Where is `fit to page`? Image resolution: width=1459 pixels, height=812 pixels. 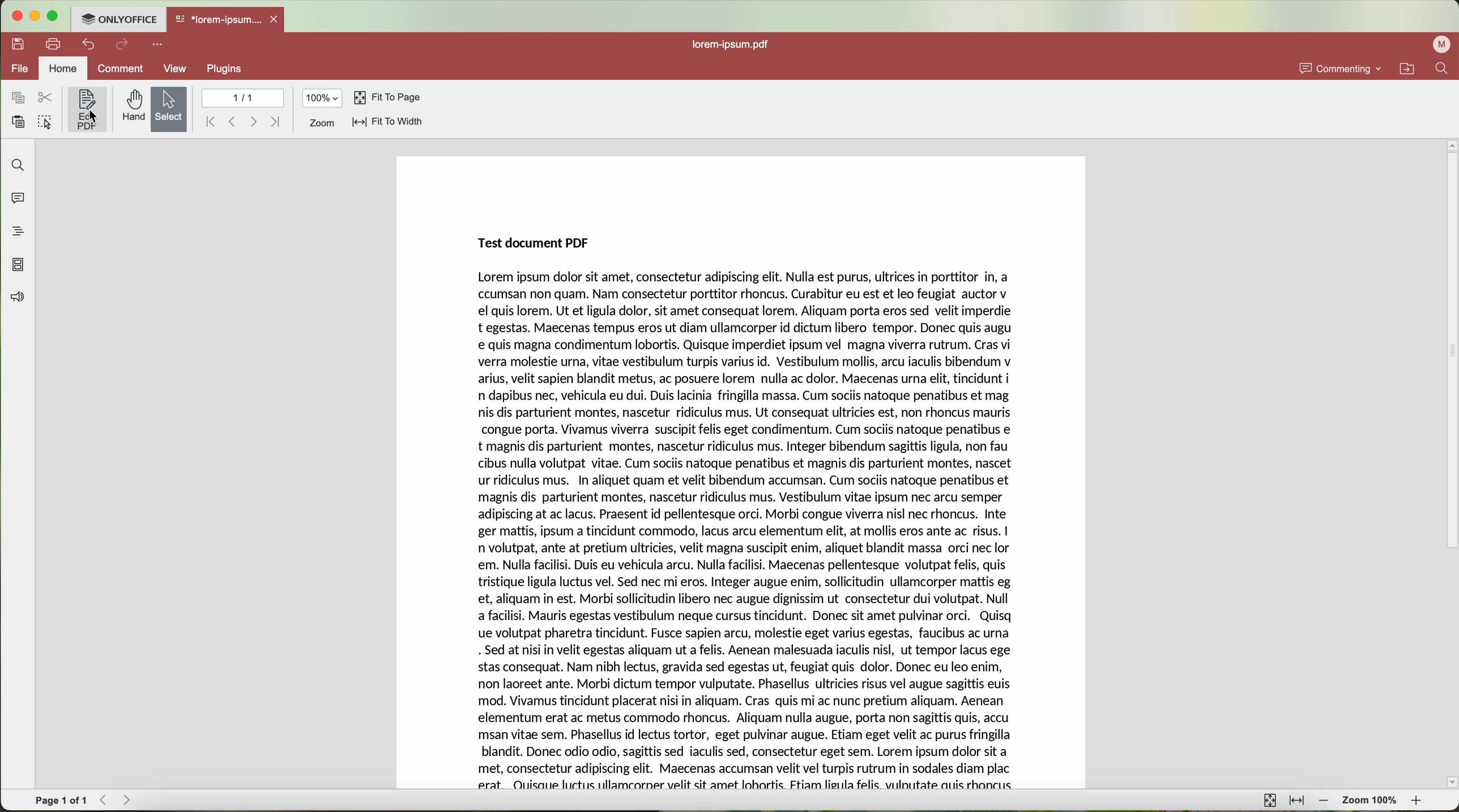
fit to page is located at coordinates (1268, 800).